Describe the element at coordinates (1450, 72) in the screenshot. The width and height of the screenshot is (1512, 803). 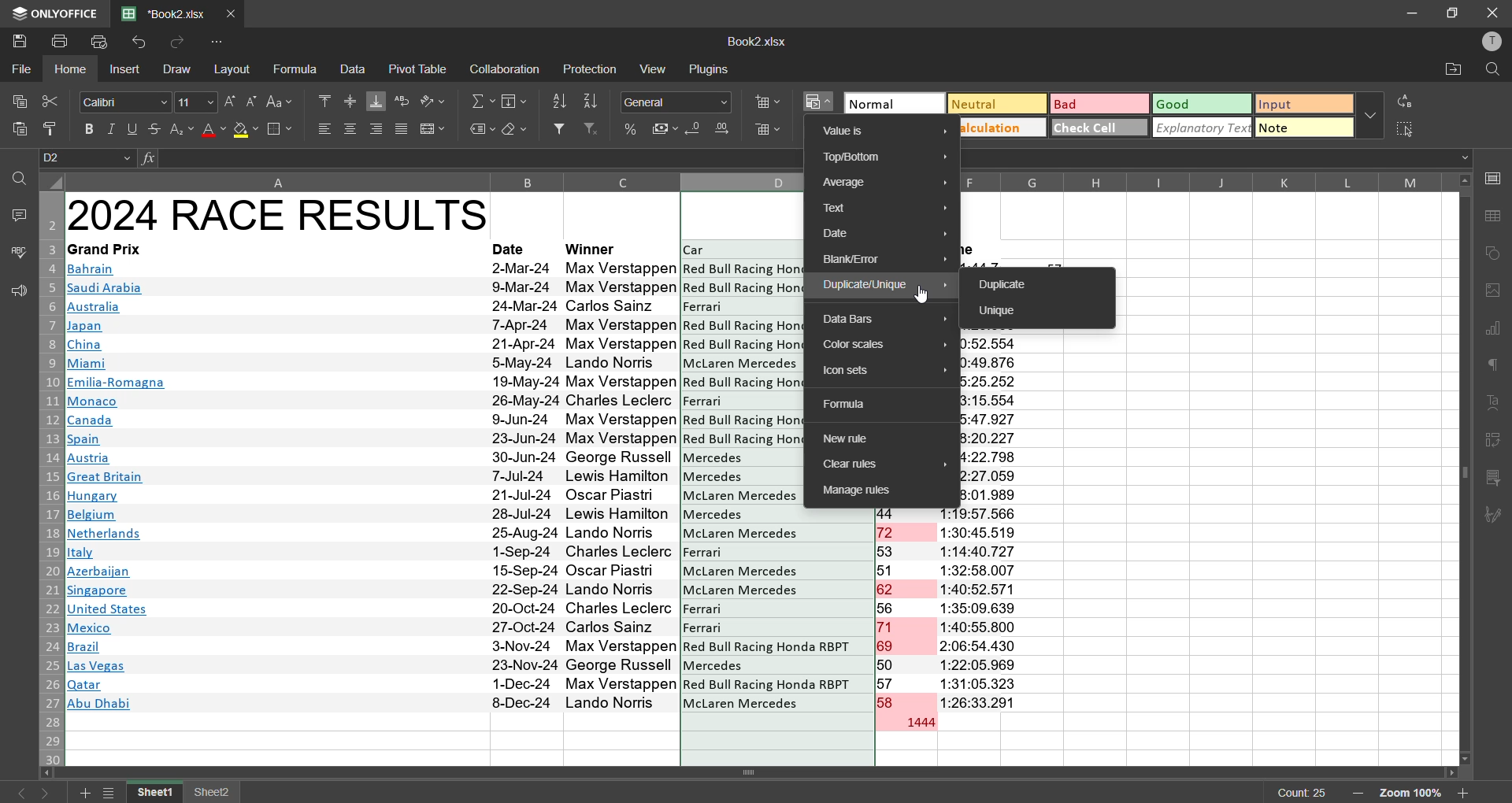
I see `open location` at that location.